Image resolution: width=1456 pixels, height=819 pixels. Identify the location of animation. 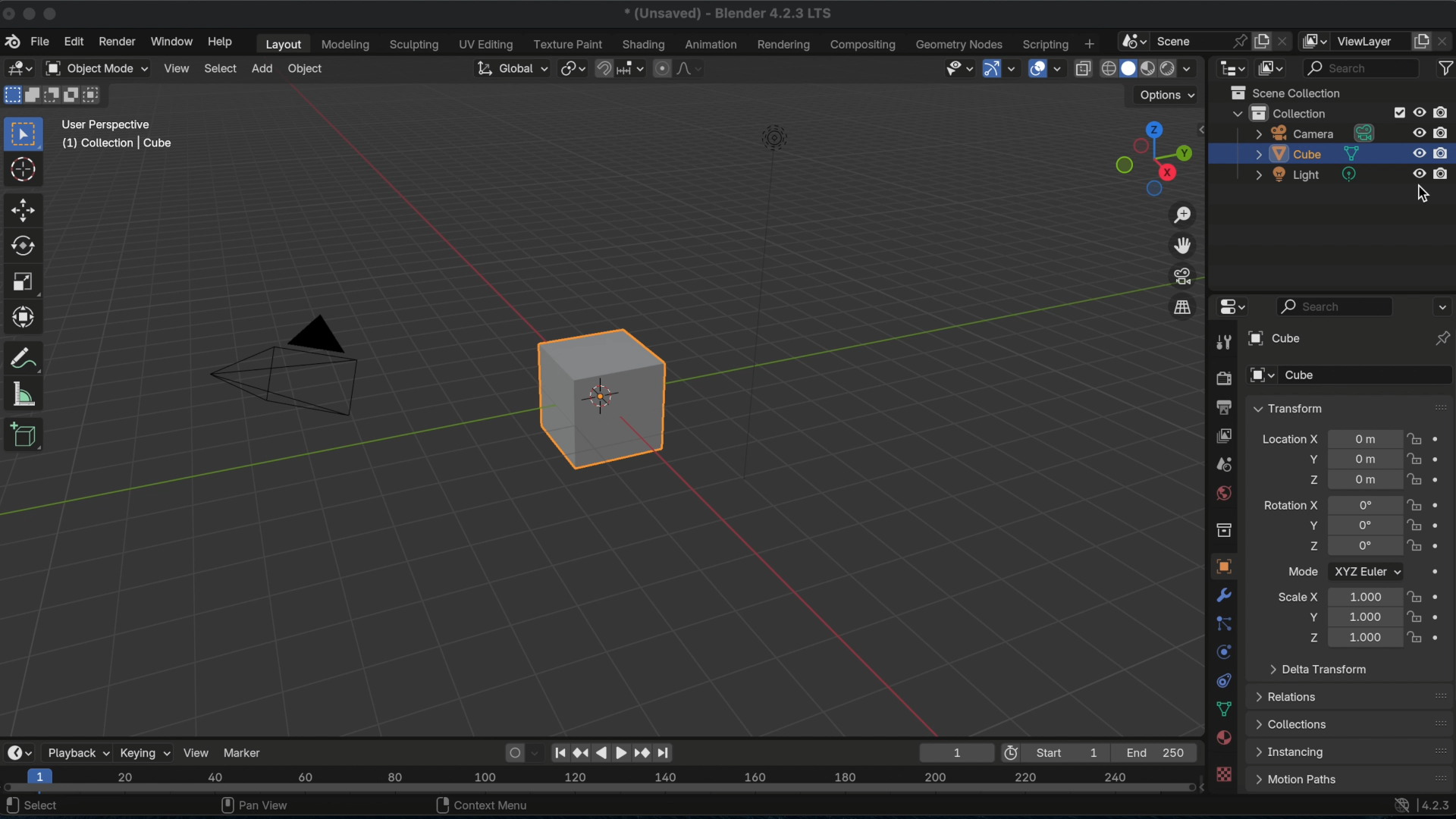
(712, 44).